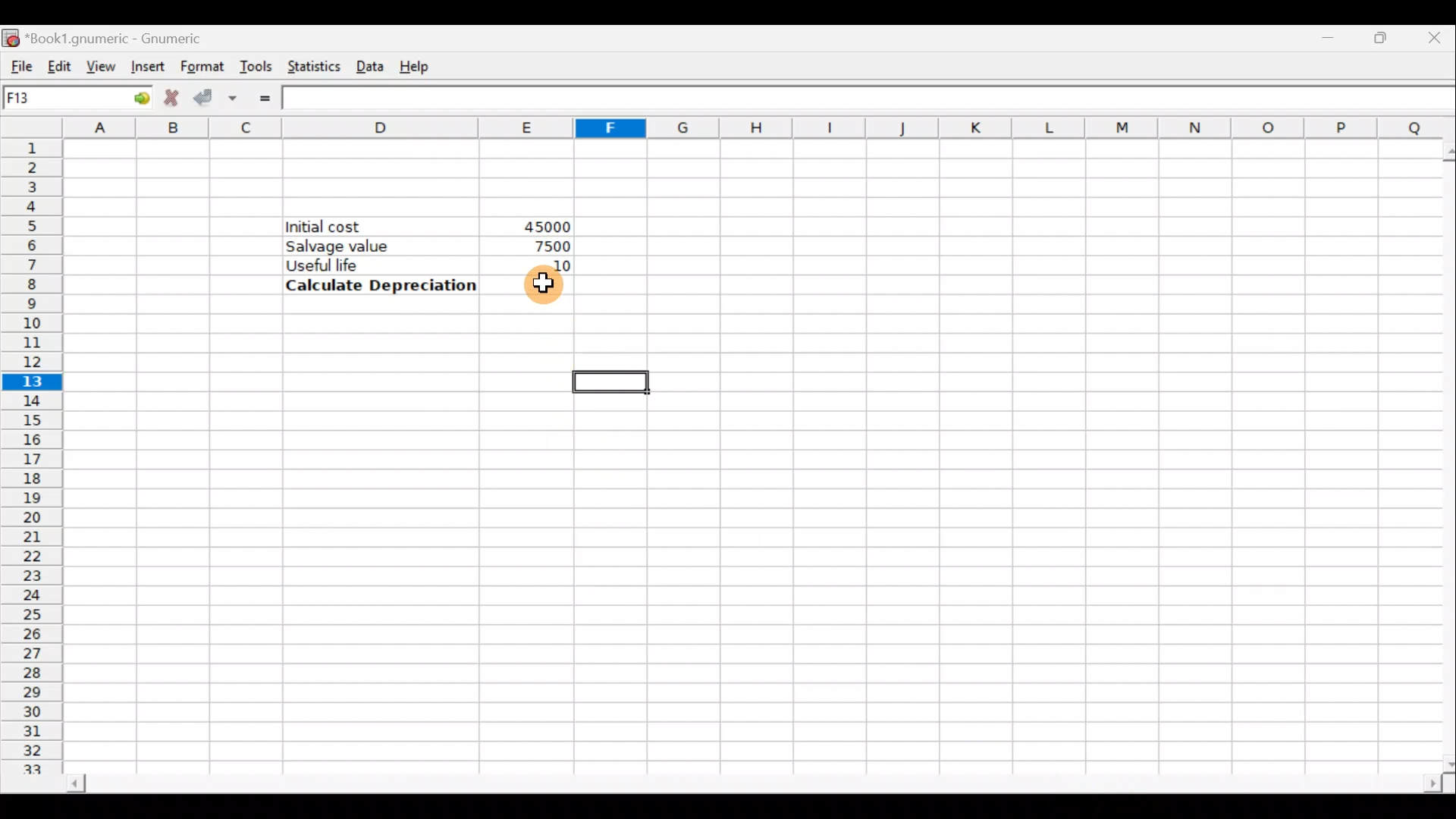  Describe the element at coordinates (264, 97) in the screenshot. I see `Enter formula` at that location.